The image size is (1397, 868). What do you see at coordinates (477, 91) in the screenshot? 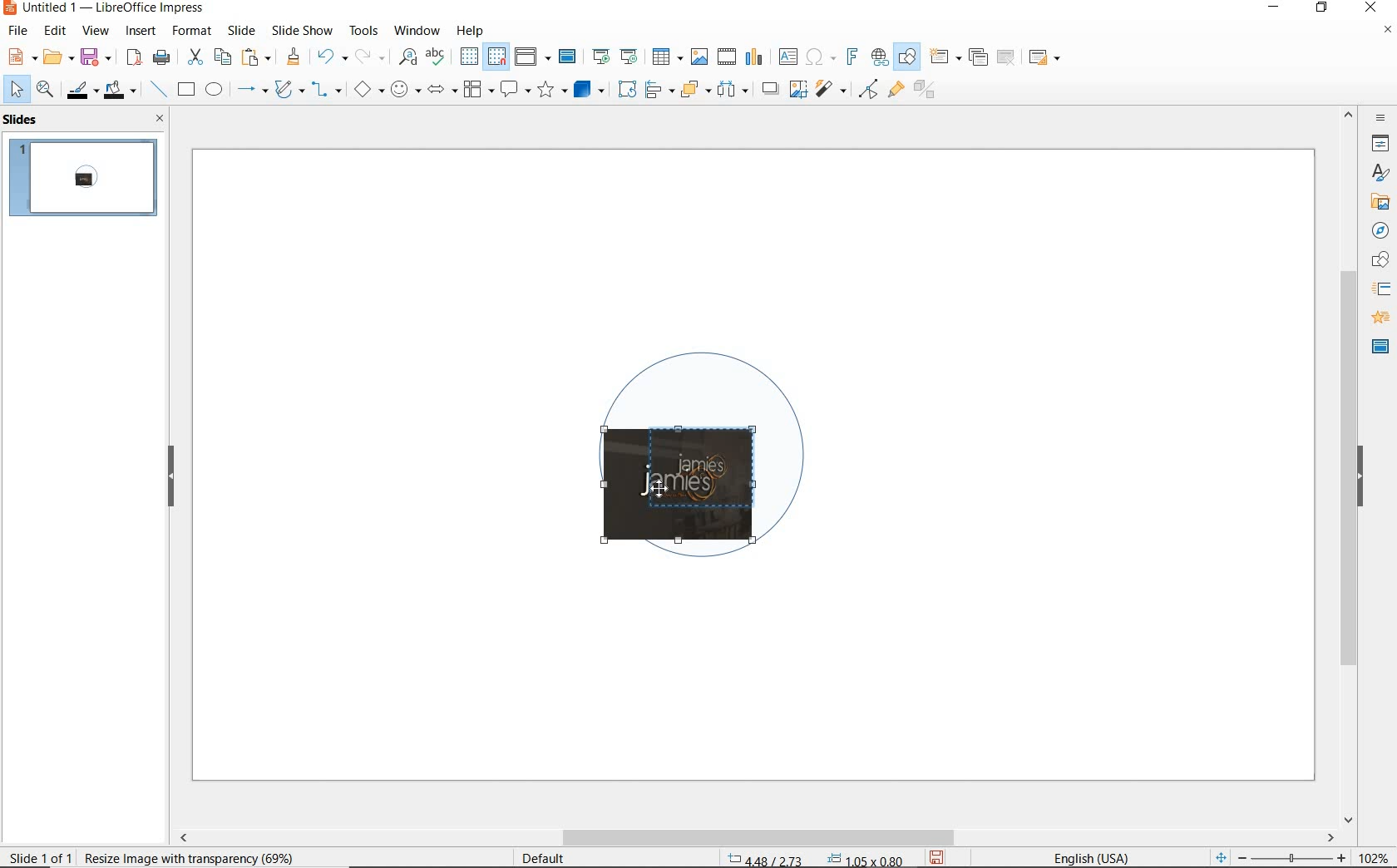
I see `flowchart` at bounding box center [477, 91].